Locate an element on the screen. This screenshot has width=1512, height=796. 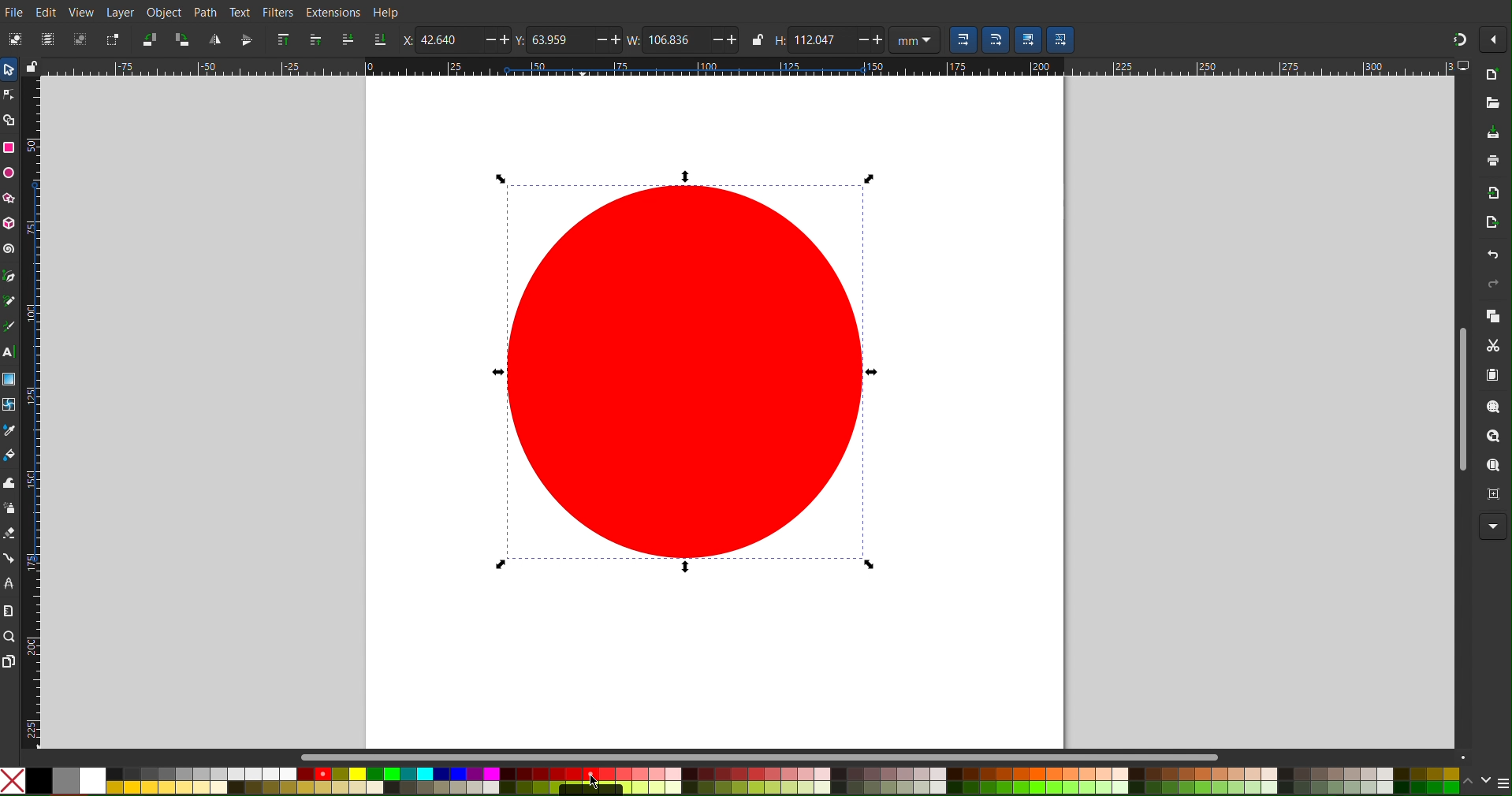
Zoom Tool is located at coordinates (9, 638).